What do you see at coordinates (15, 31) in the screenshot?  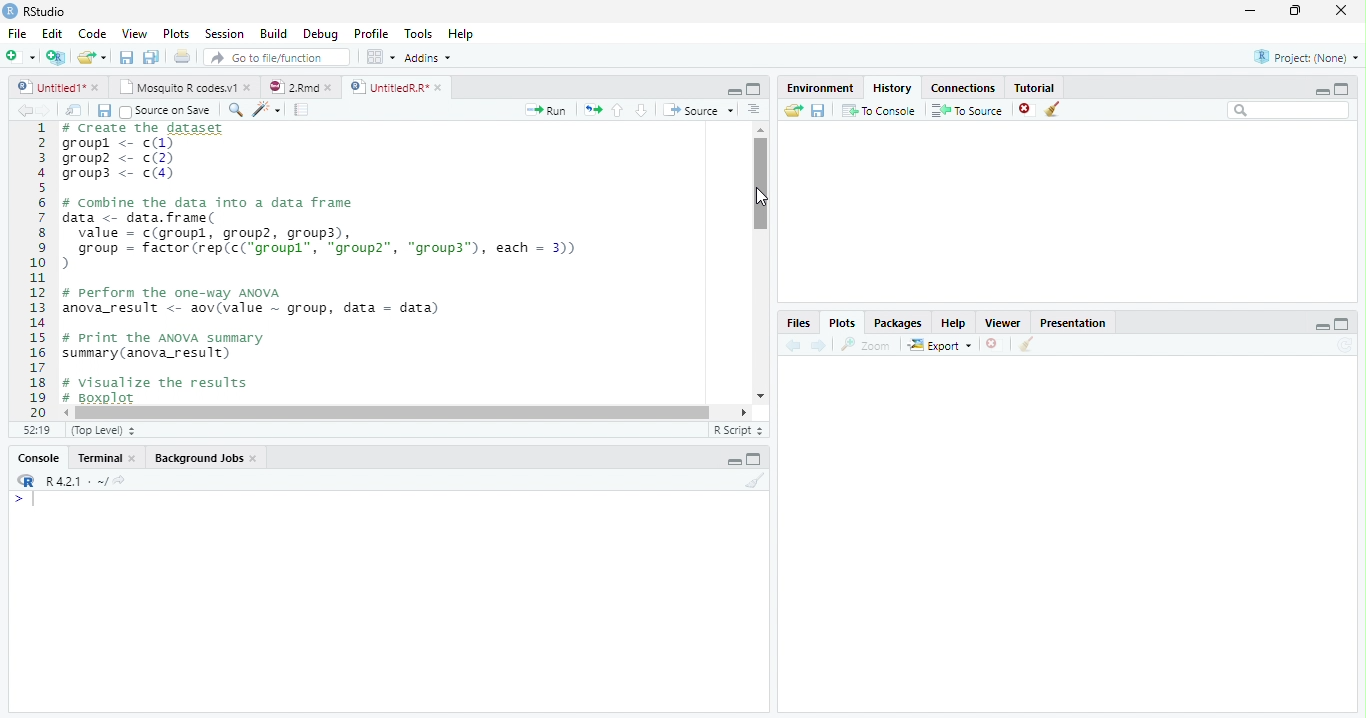 I see `File` at bounding box center [15, 31].